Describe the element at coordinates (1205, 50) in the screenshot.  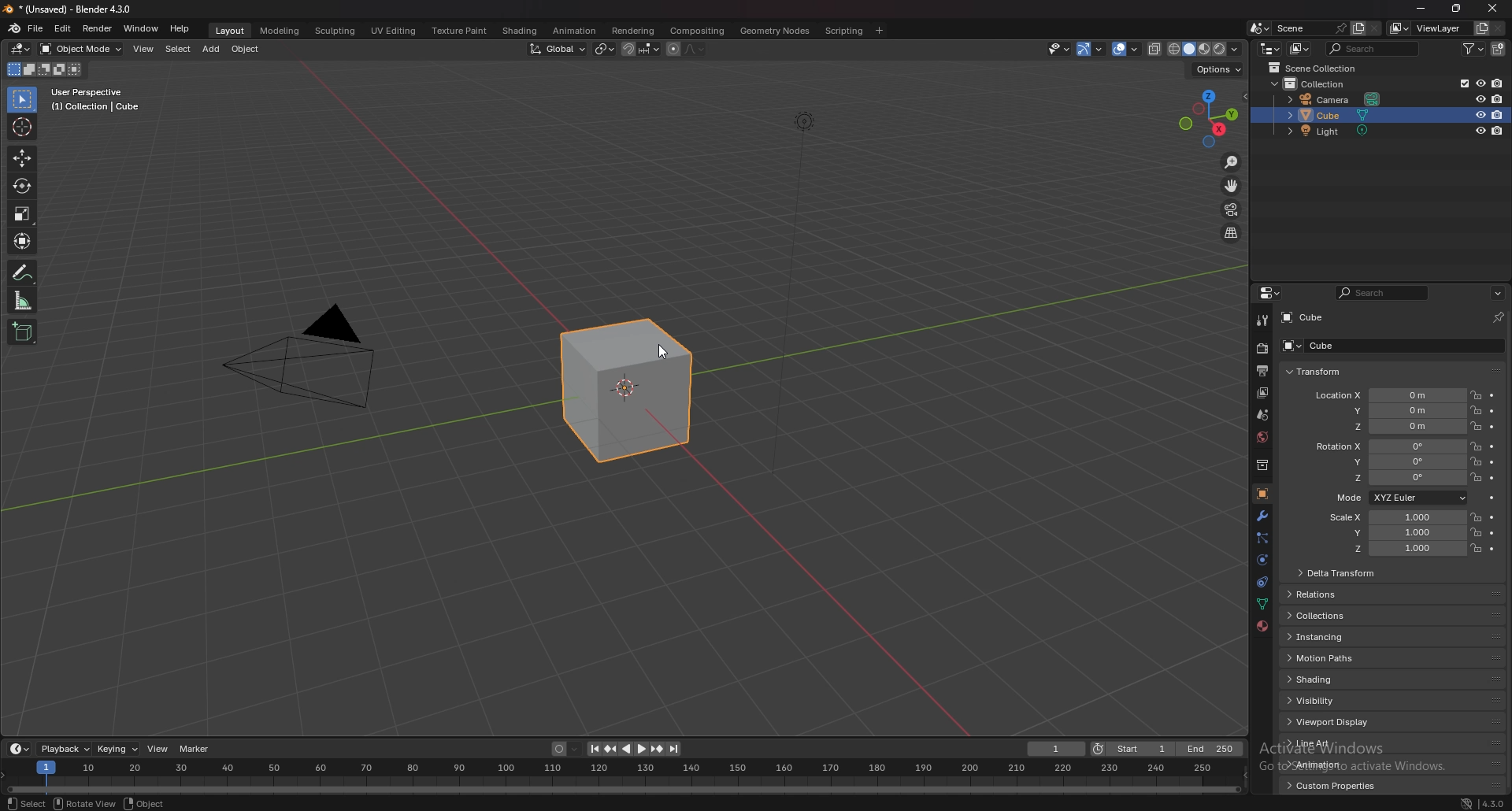
I see `viewport shading` at that location.